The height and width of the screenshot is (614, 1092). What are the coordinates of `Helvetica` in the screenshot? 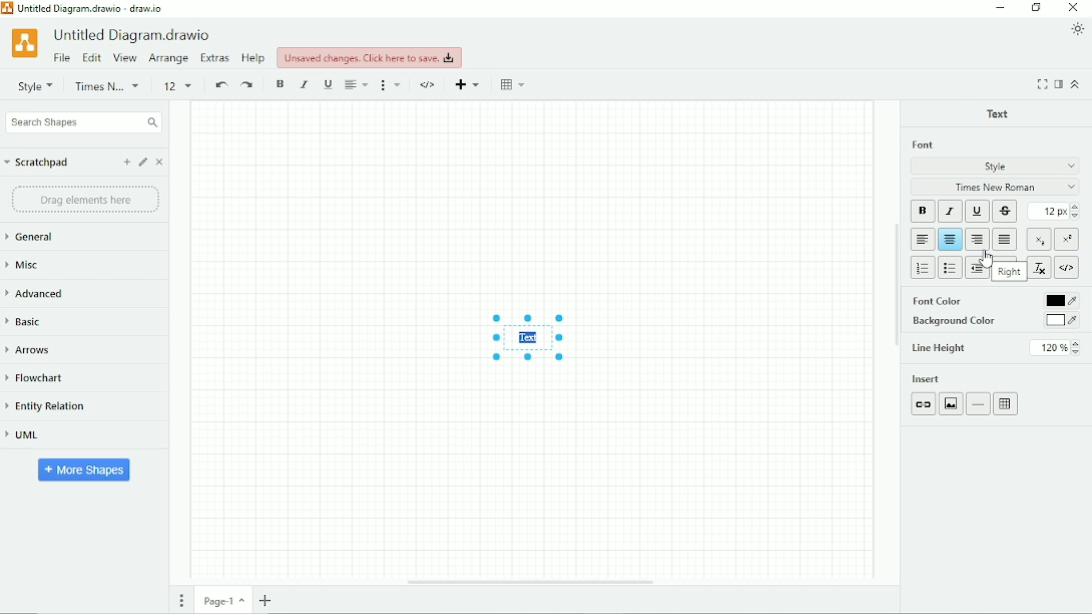 It's located at (110, 86).